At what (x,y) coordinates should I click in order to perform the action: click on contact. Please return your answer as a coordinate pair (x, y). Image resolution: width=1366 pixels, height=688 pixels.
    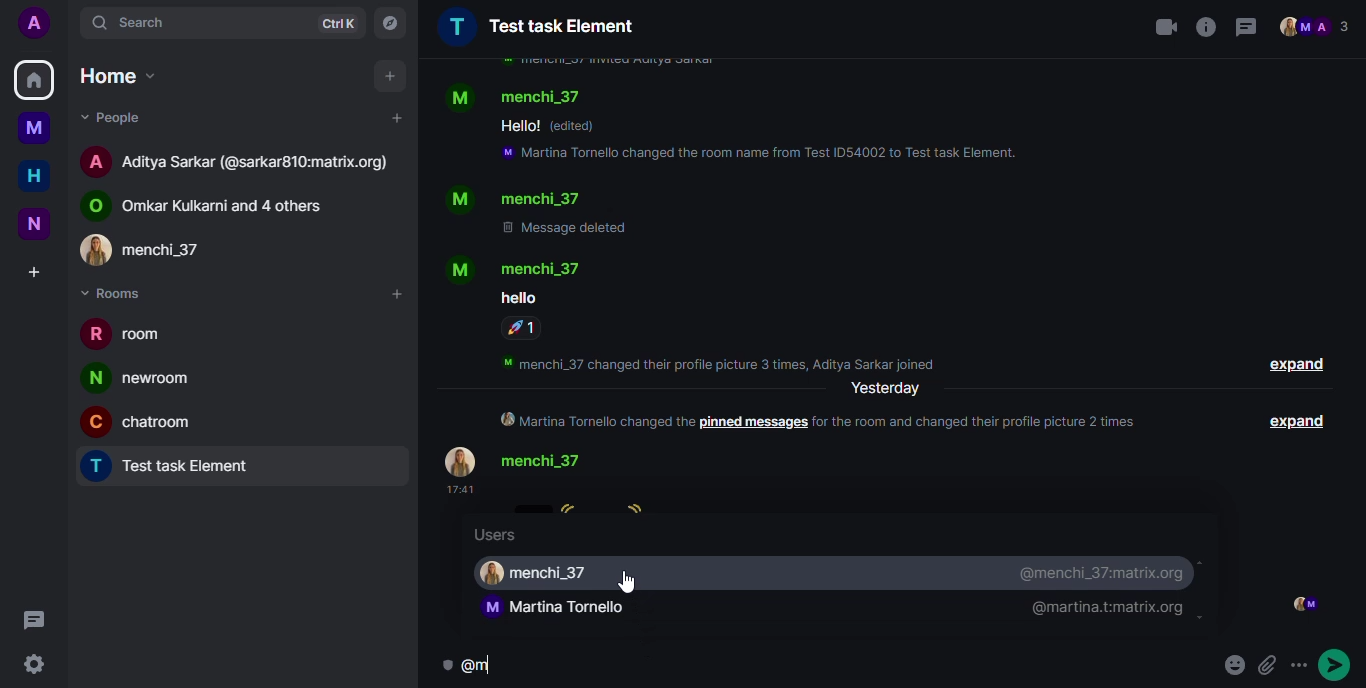
    Looking at the image, I should click on (216, 204).